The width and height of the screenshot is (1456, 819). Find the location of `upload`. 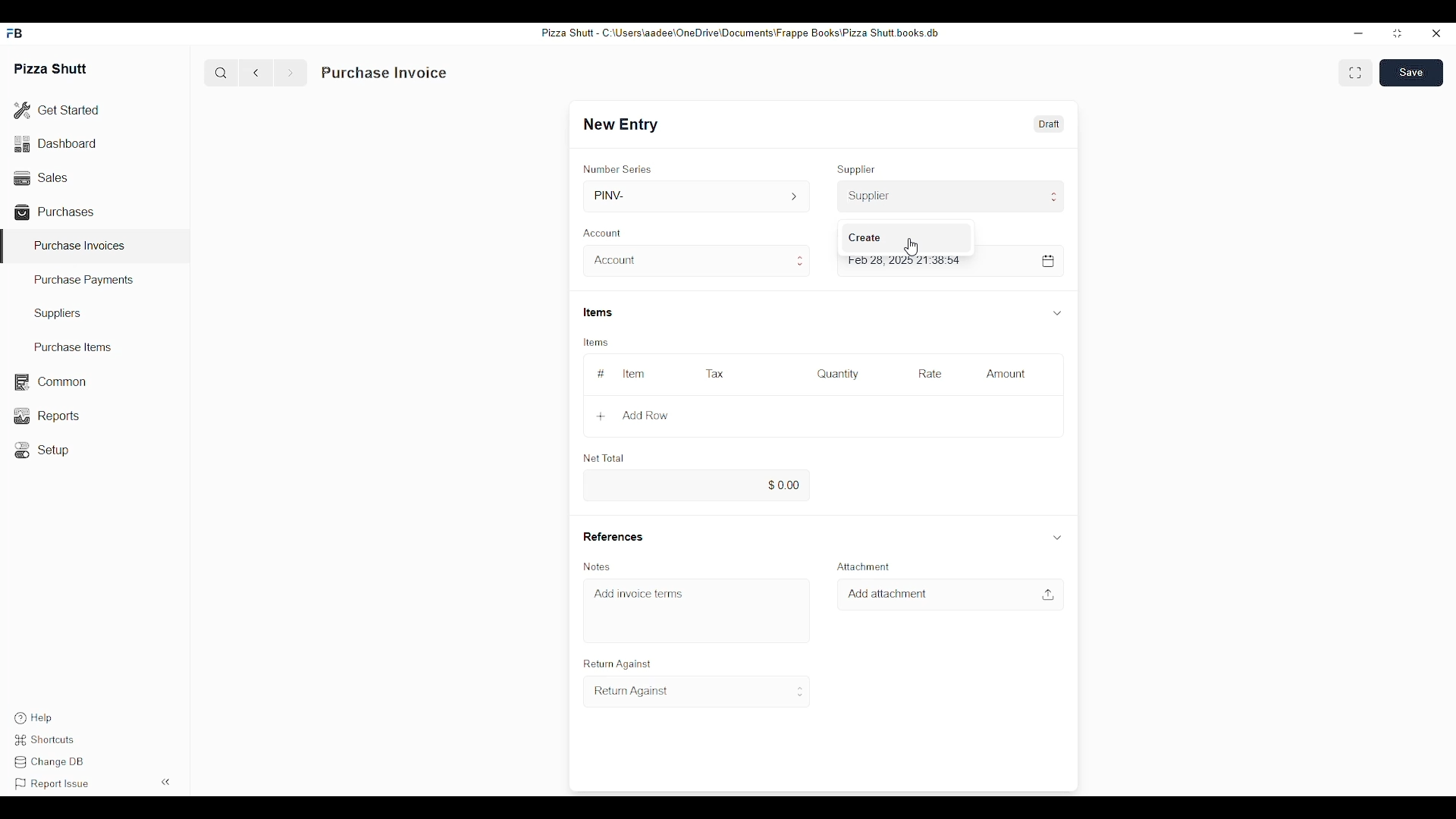

upload is located at coordinates (1050, 595).